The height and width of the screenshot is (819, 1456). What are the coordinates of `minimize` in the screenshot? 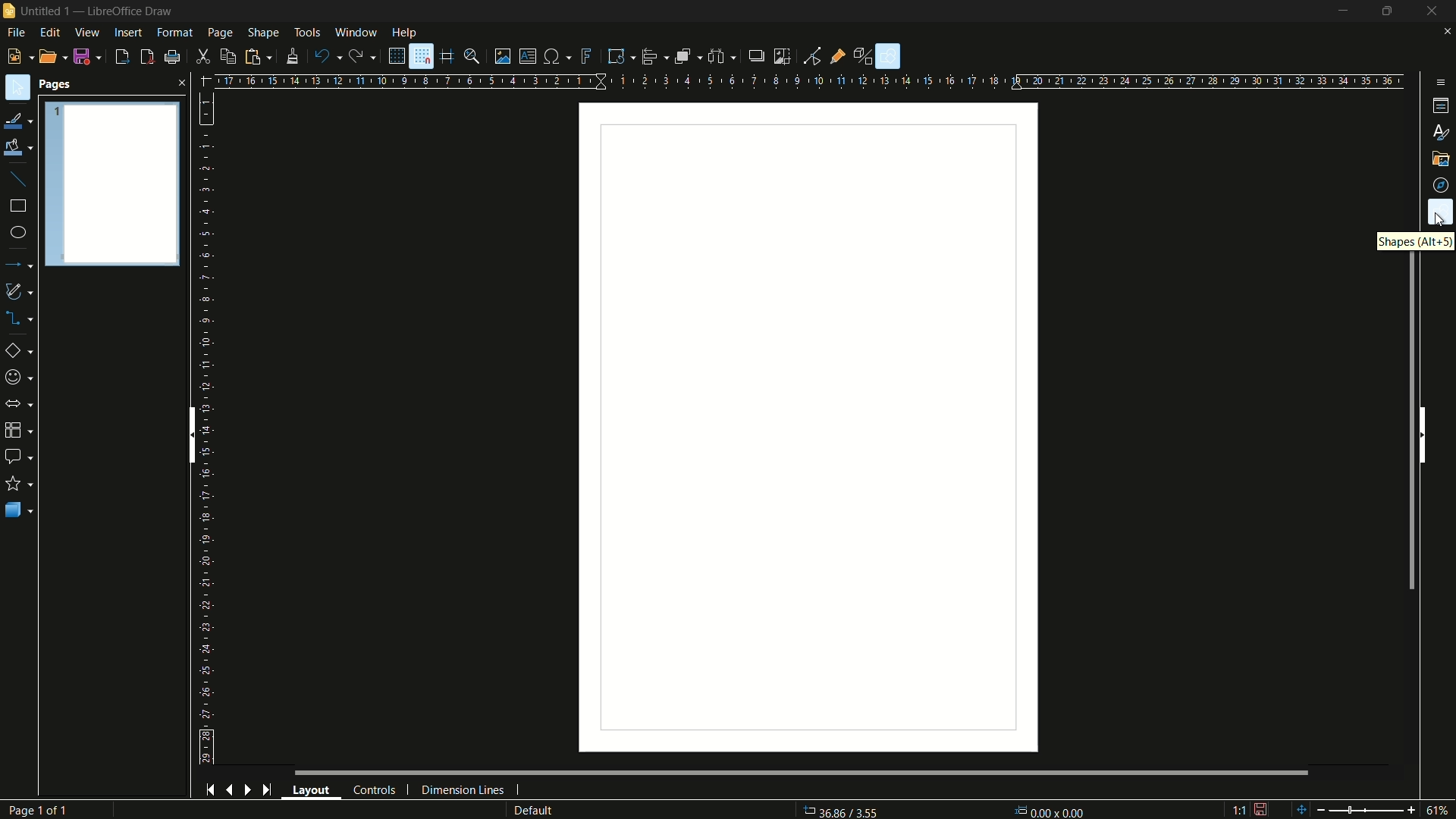 It's located at (1344, 12).